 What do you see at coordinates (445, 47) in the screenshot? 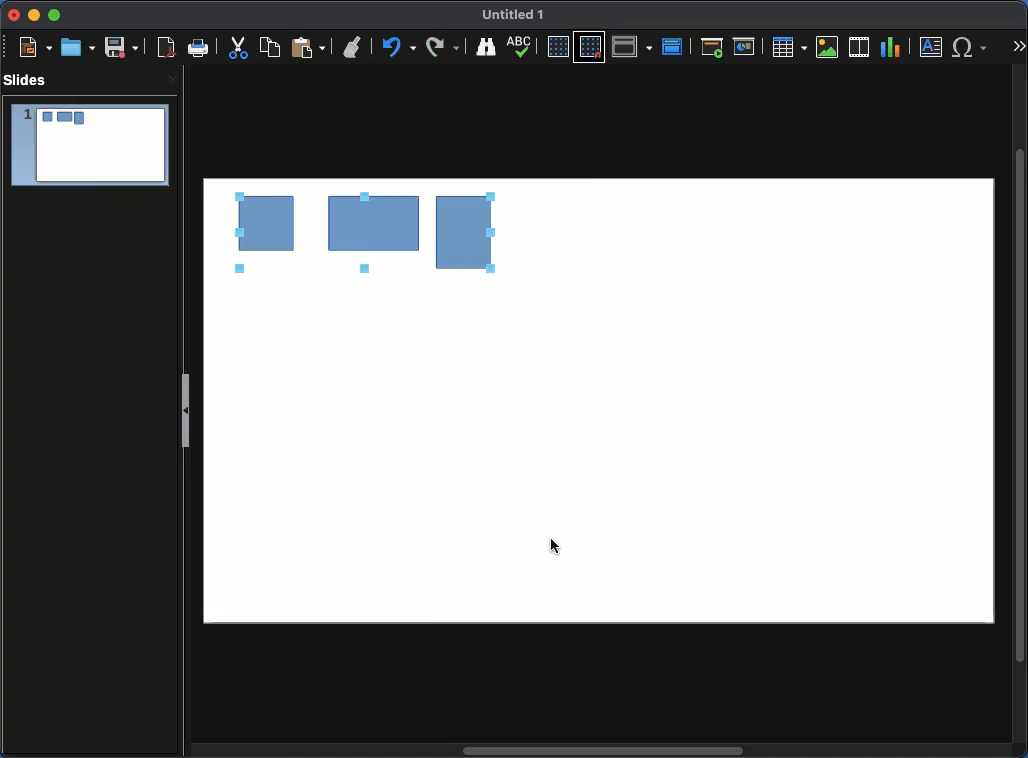
I see `Redo` at bounding box center [445, 47].